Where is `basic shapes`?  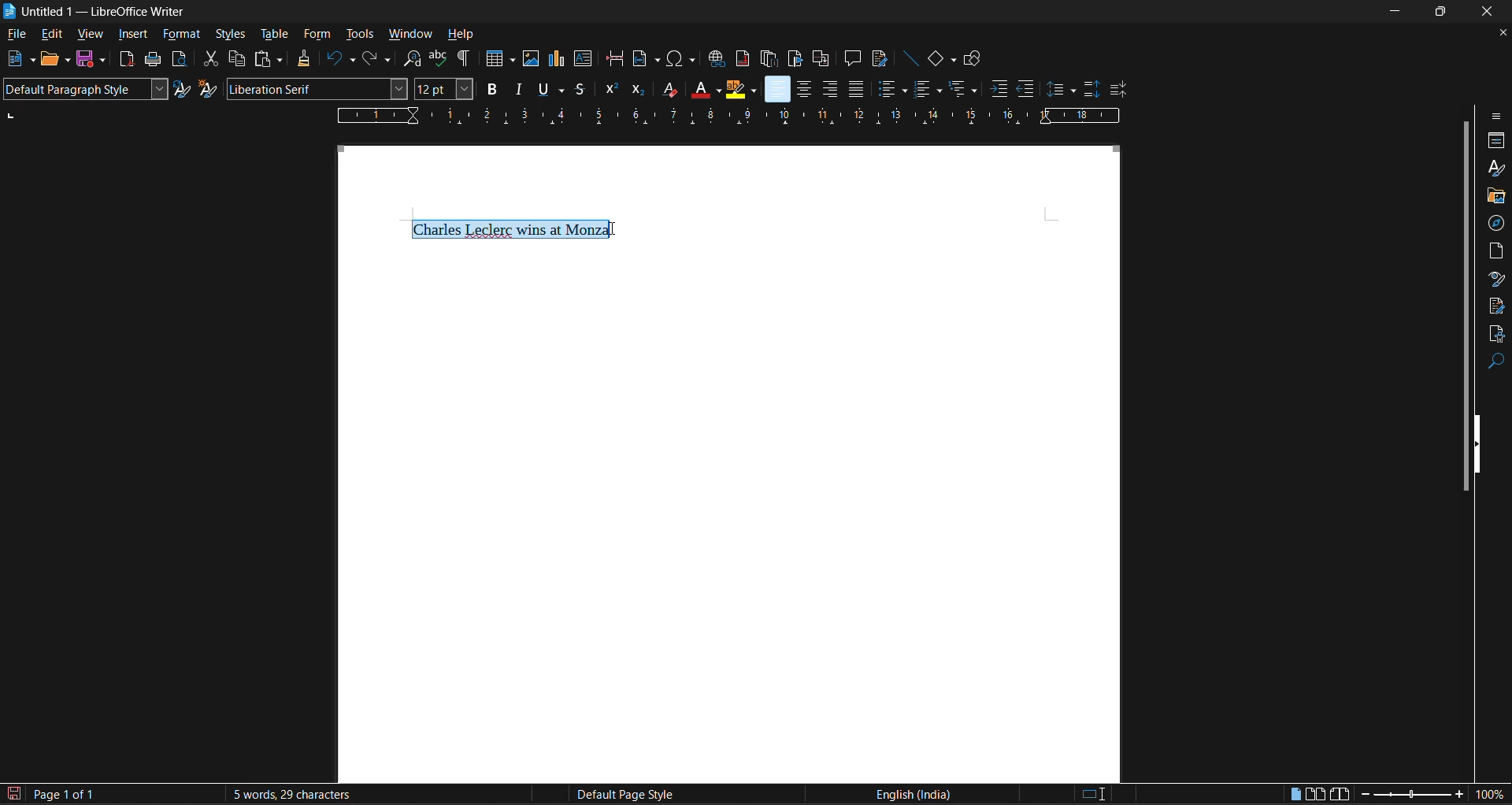
basic shapes is located at coordinates (943, 59).